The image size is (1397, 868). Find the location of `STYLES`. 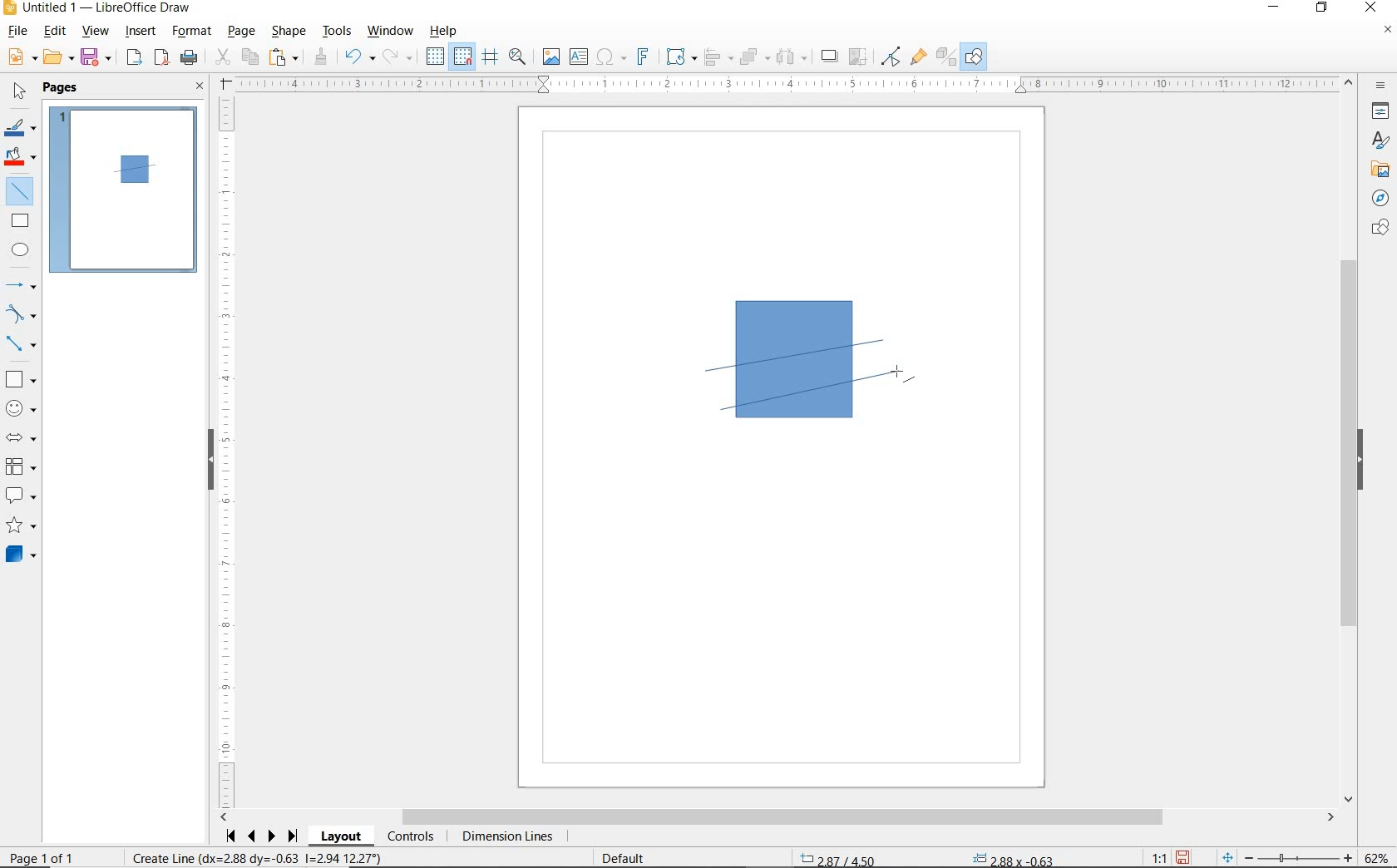

STYLES is located at coordinates (1376, 141).